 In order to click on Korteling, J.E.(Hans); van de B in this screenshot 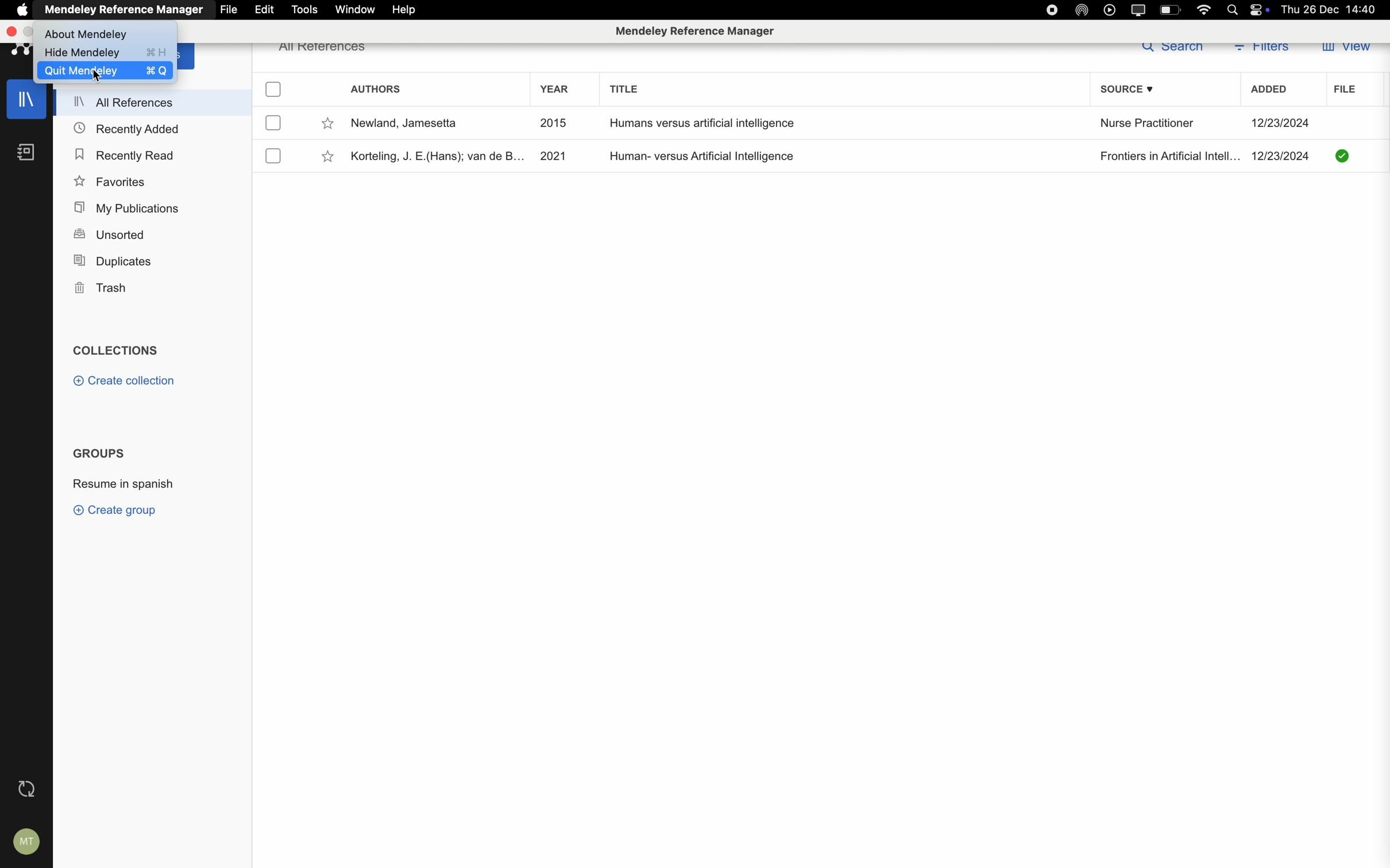, I will do `click(434, 157)`.